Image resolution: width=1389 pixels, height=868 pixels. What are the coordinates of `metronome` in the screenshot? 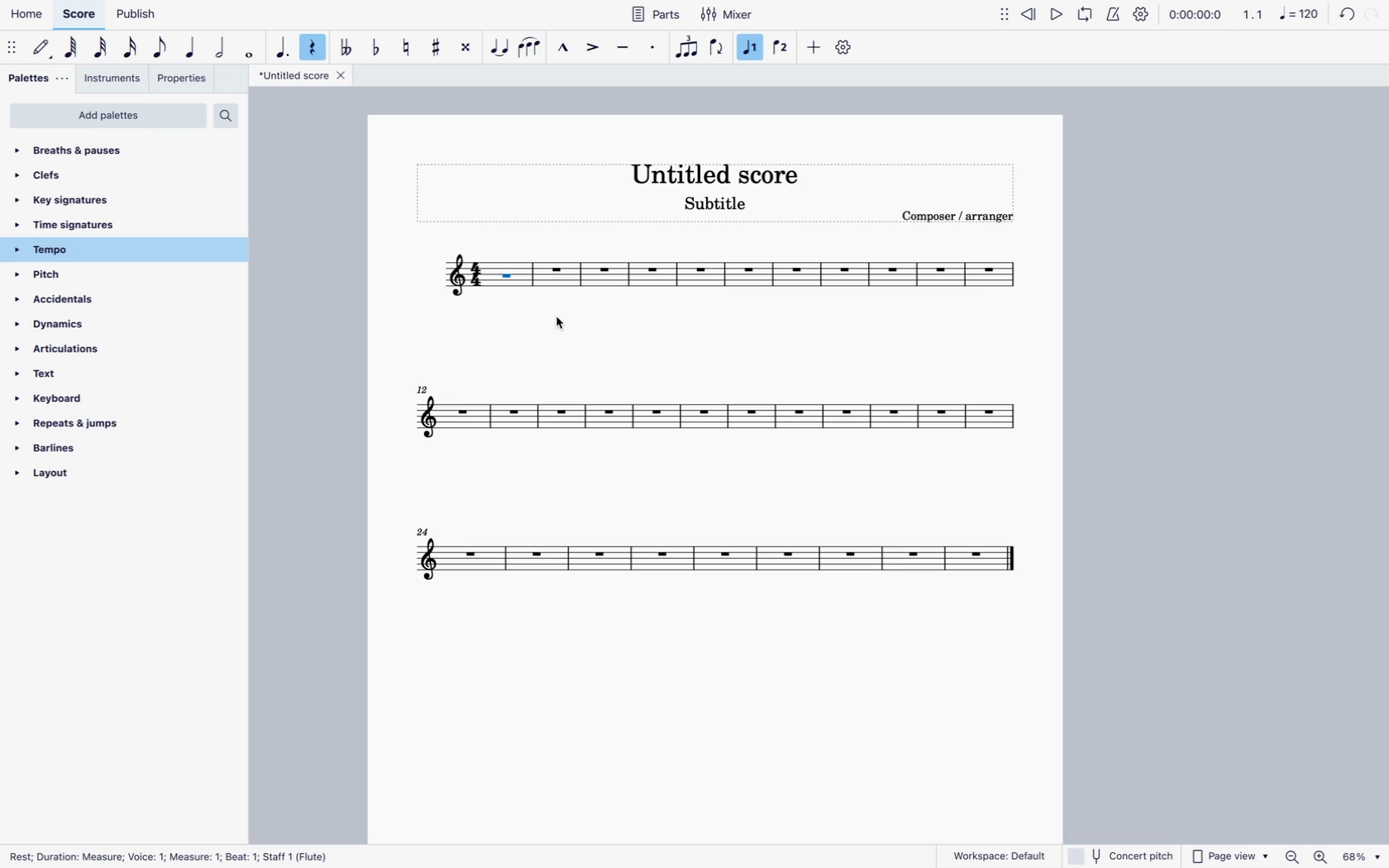 It's located at (1113, 15).